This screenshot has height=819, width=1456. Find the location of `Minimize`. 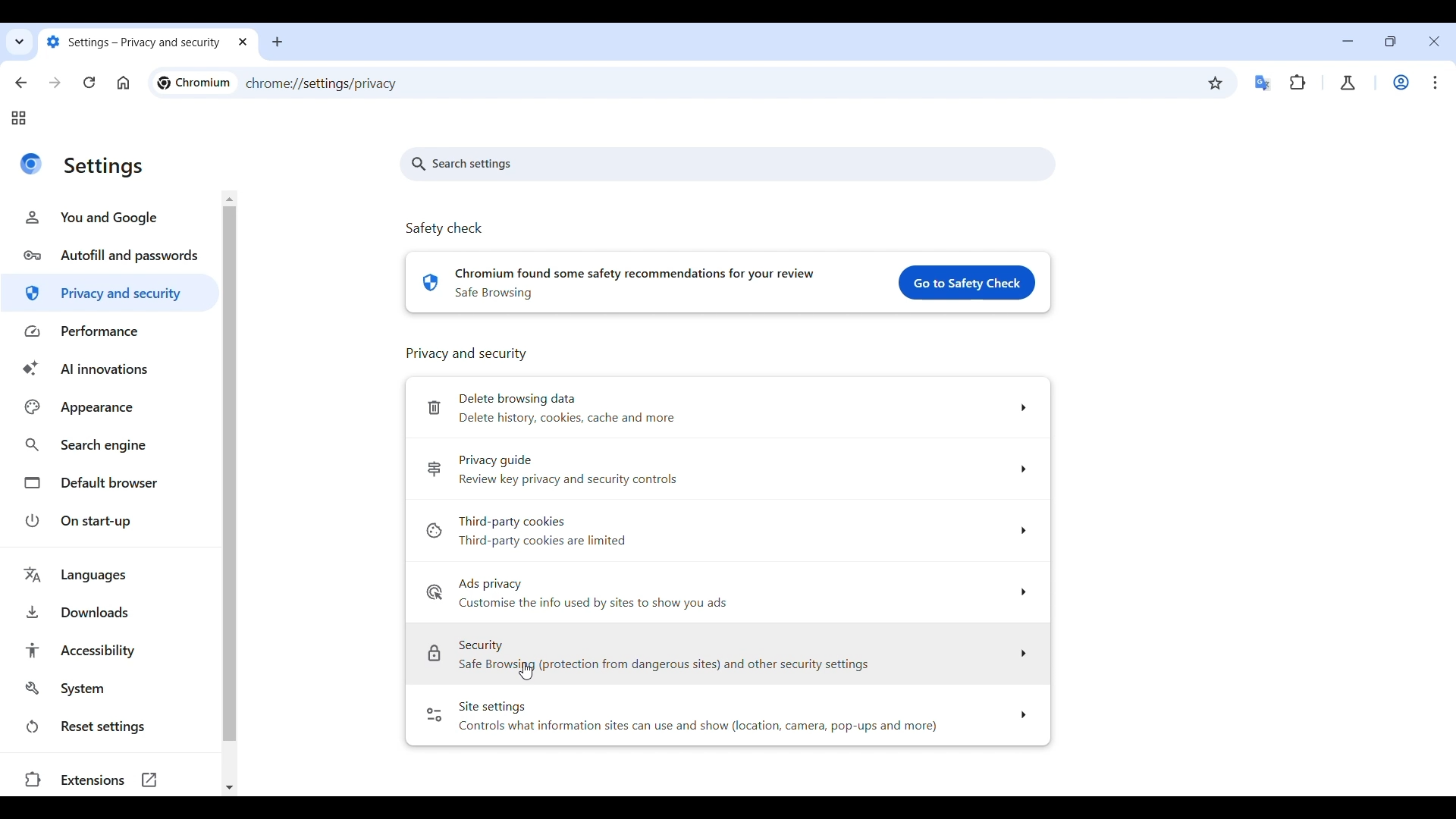

Minimize is located at coordinates (1348, 41).